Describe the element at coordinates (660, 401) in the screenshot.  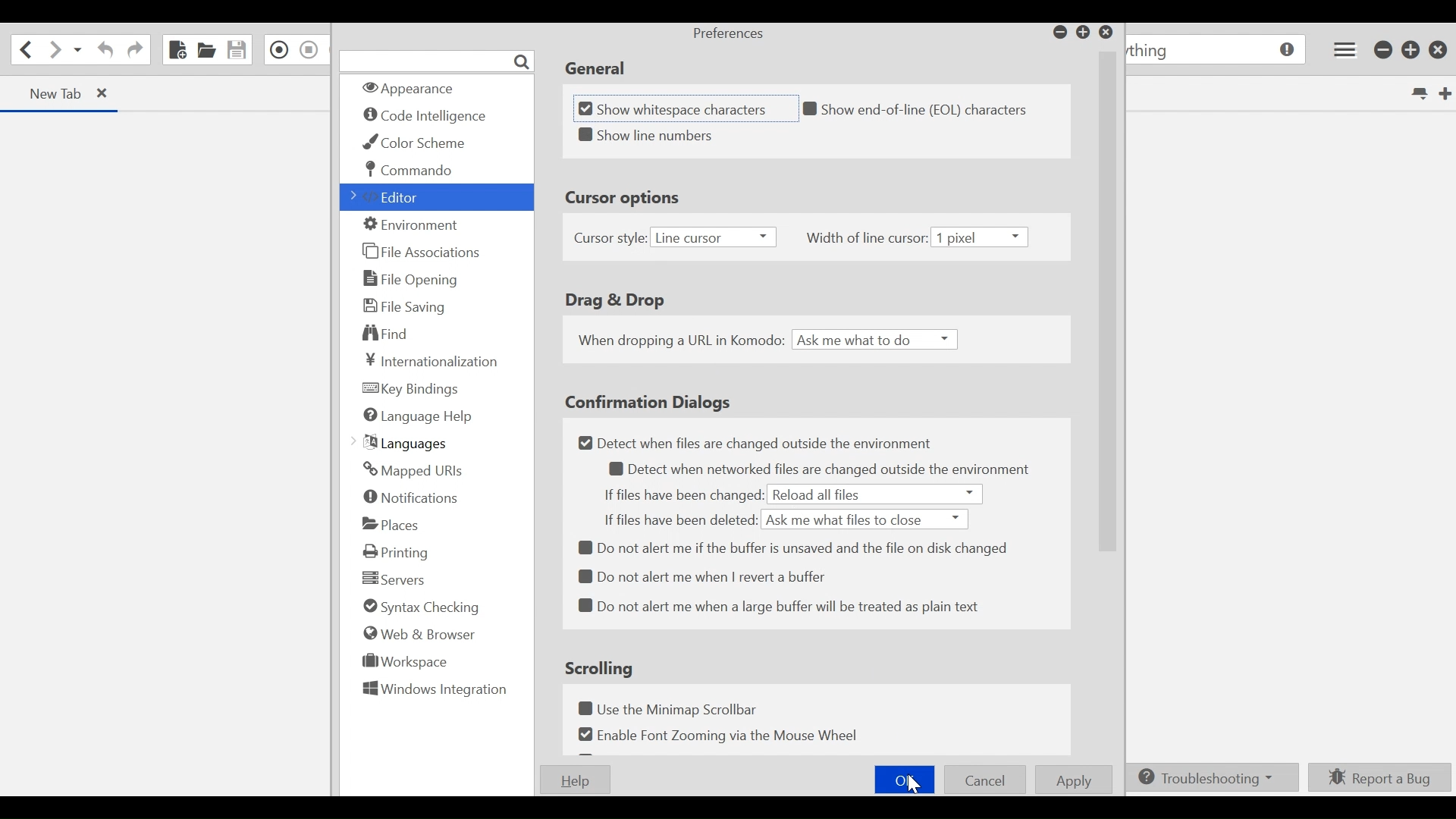
I see `Confirmation Dialogs` at that location.